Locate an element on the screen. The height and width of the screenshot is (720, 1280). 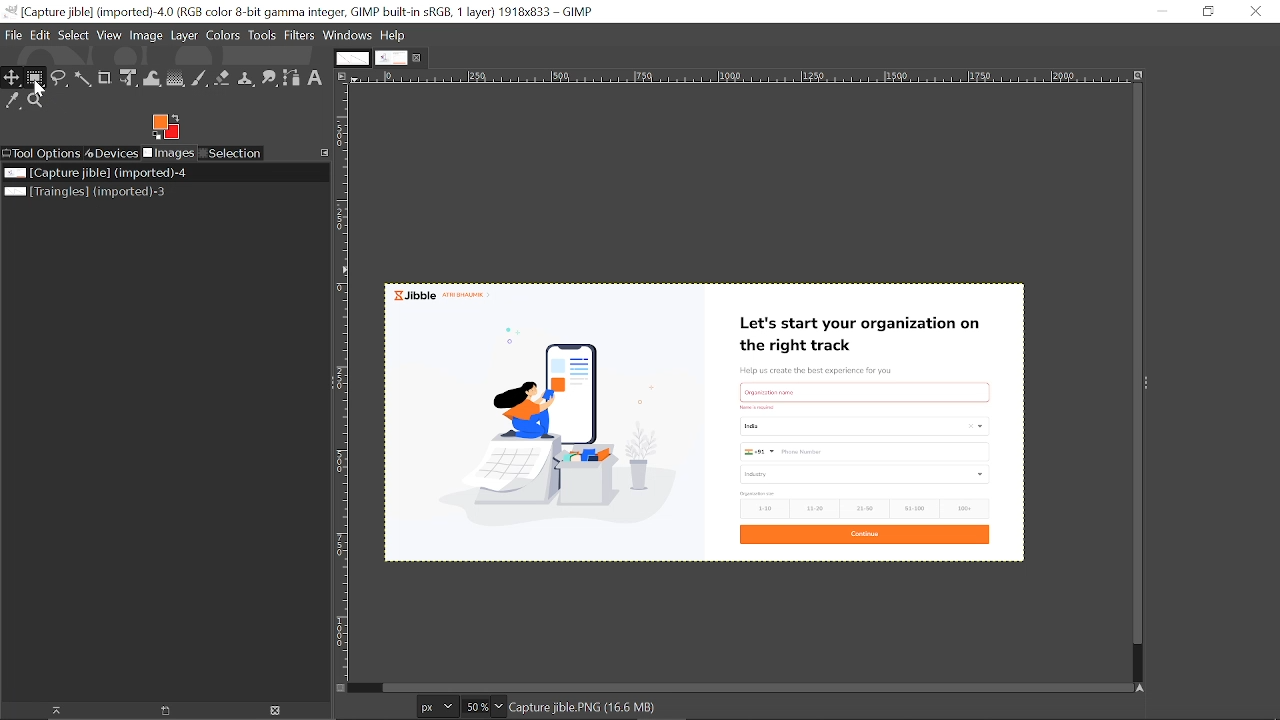
Configure this tab is located at coordinates (324, 153).